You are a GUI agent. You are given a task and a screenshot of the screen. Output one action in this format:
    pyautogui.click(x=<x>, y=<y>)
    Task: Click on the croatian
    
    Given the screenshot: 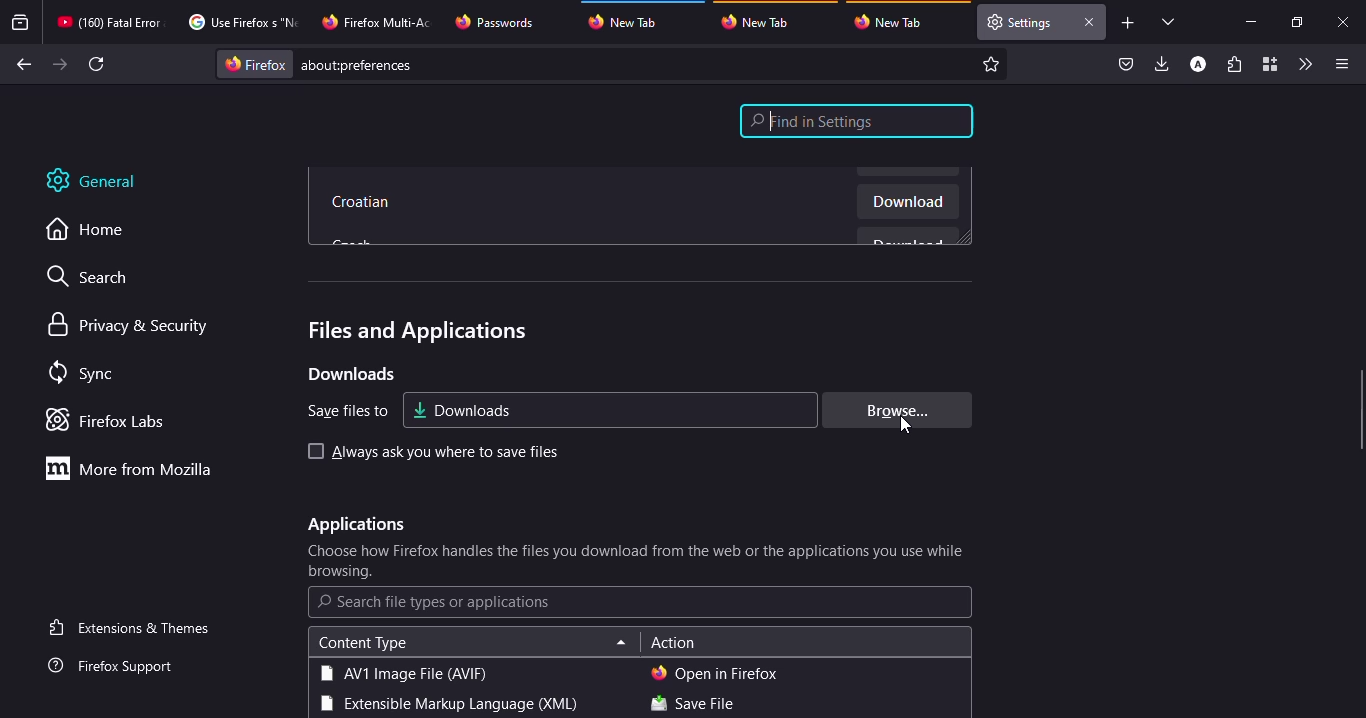 What is the action you would take?
    pyautogui.click(x=364, y=204)
    